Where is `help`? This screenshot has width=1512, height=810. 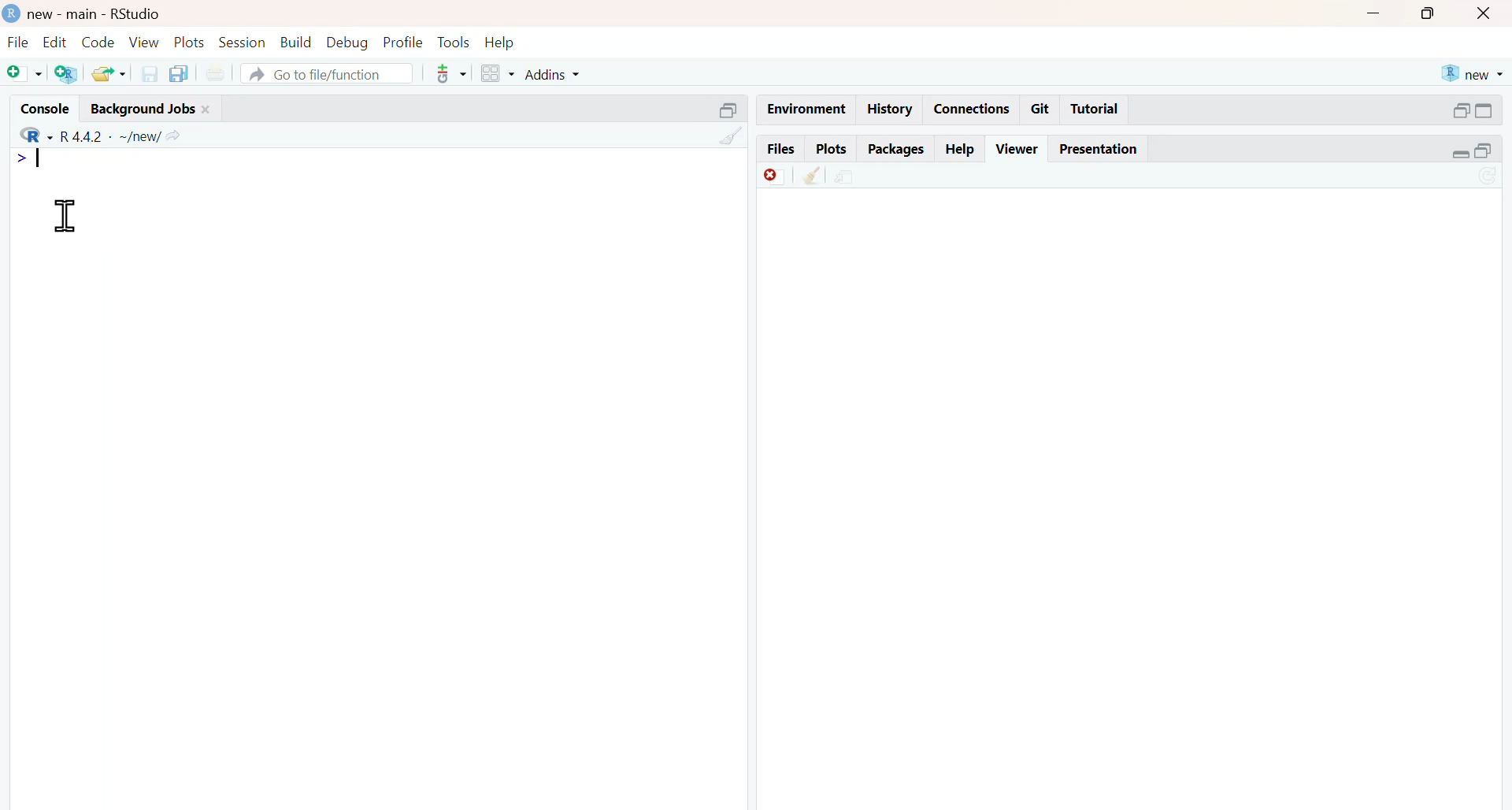
help is located at coordinates (500, 43).